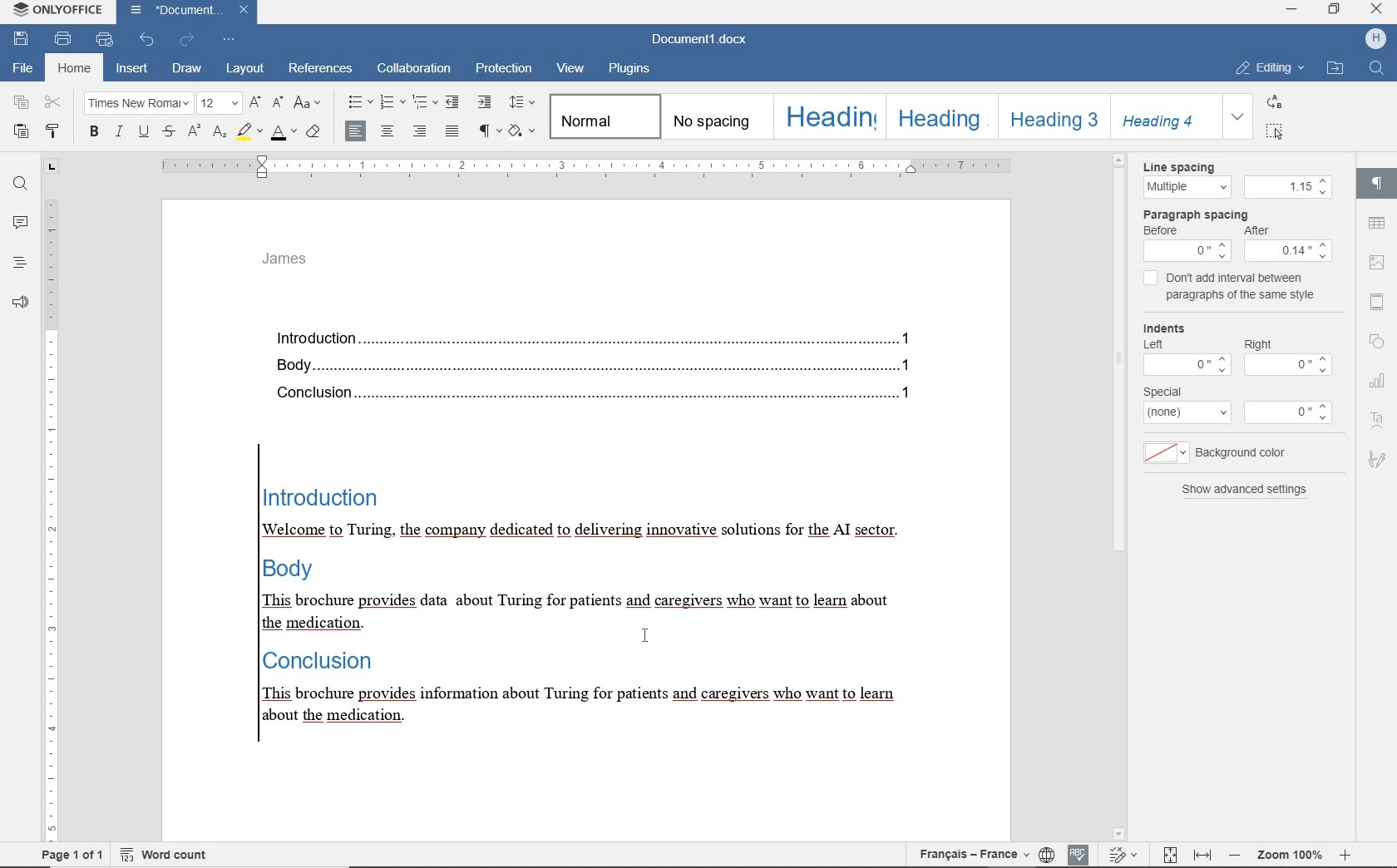 Image resolution: width=1397 pixels, height=868 pixels. What do you see at coordinates (522, 102) in the screenshot?
I see `paragraph line spacing` at bounding box center [522, 102].